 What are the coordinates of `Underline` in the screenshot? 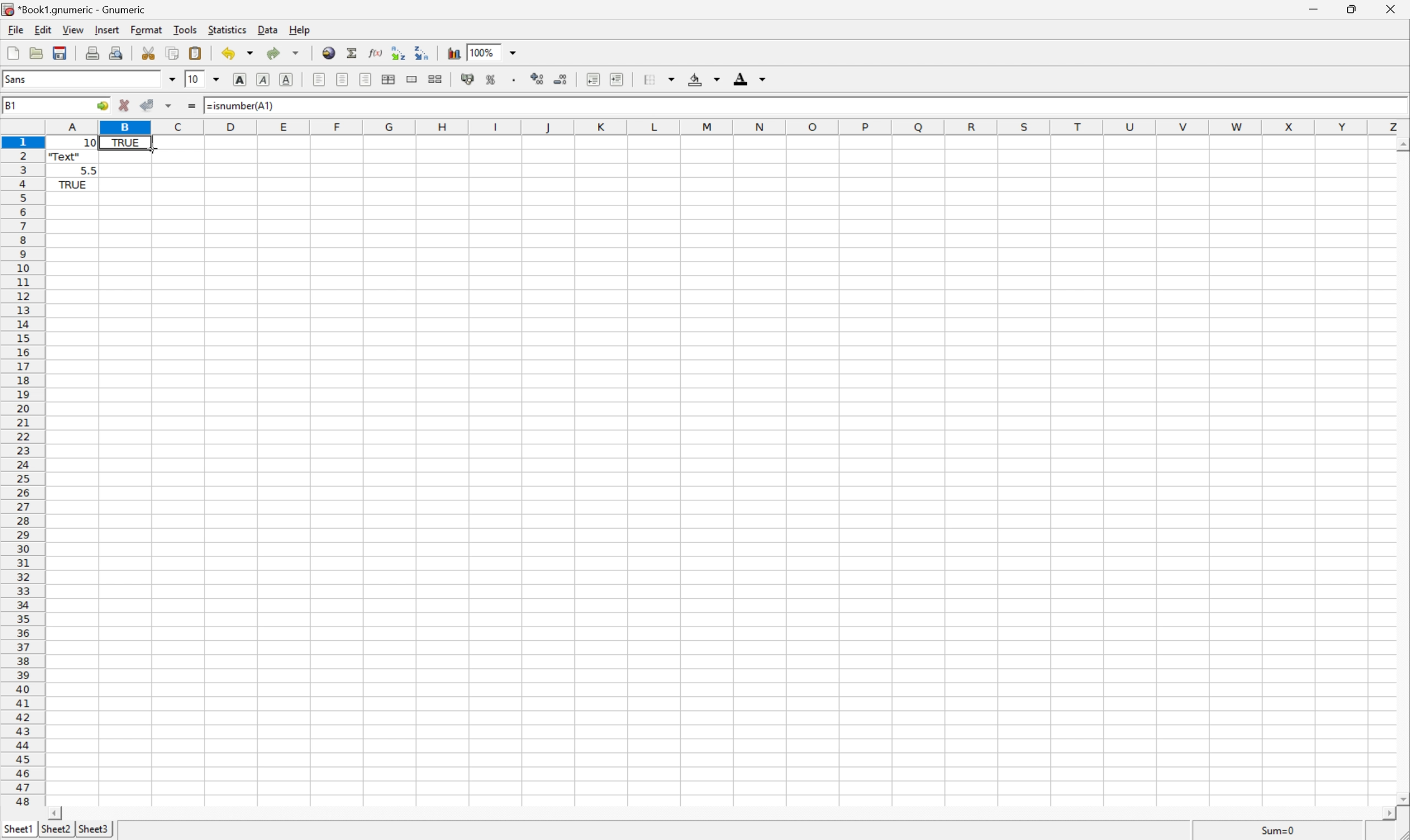 It's located at (287, 79).